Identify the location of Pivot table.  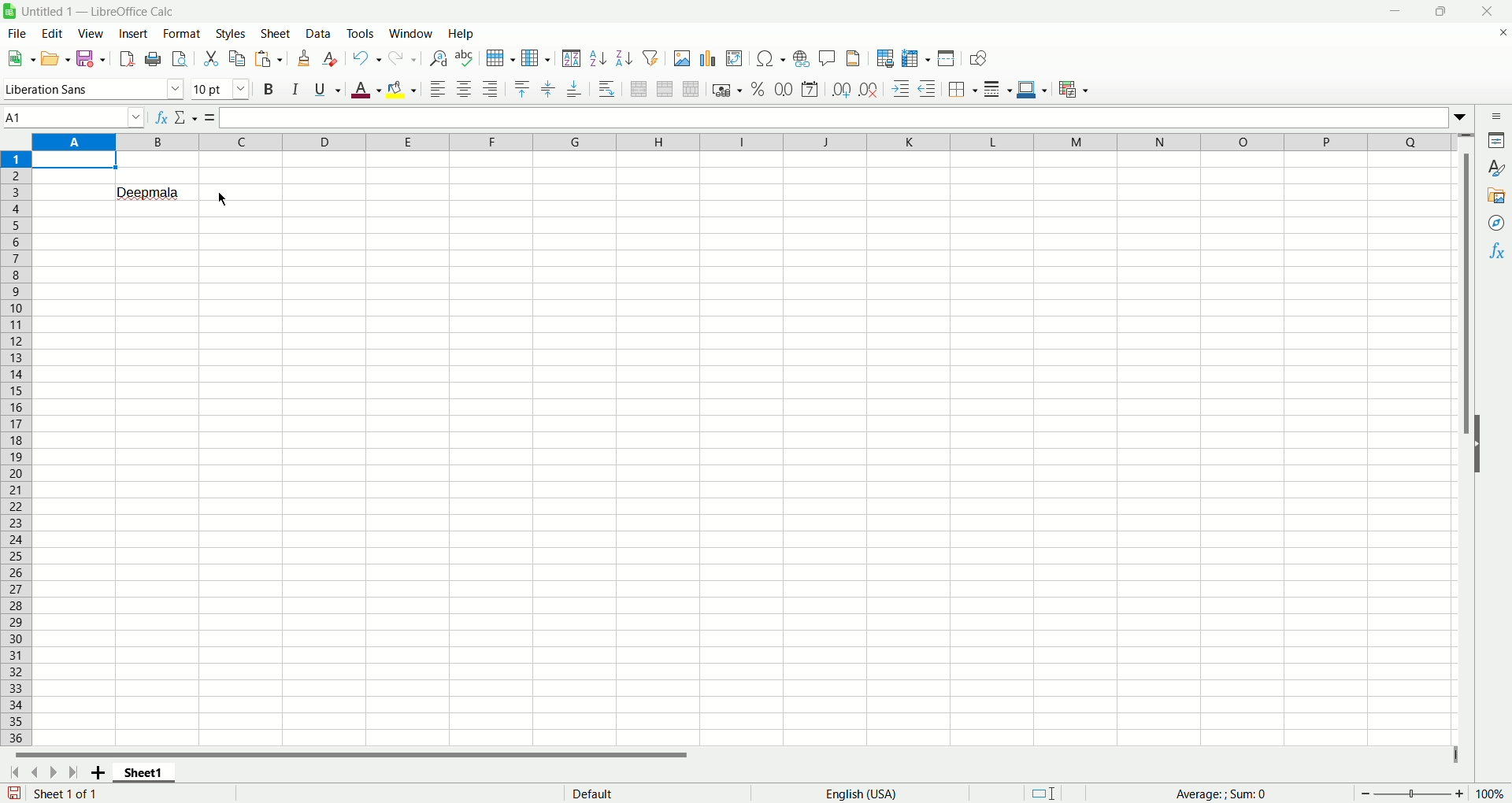
(735, 59).